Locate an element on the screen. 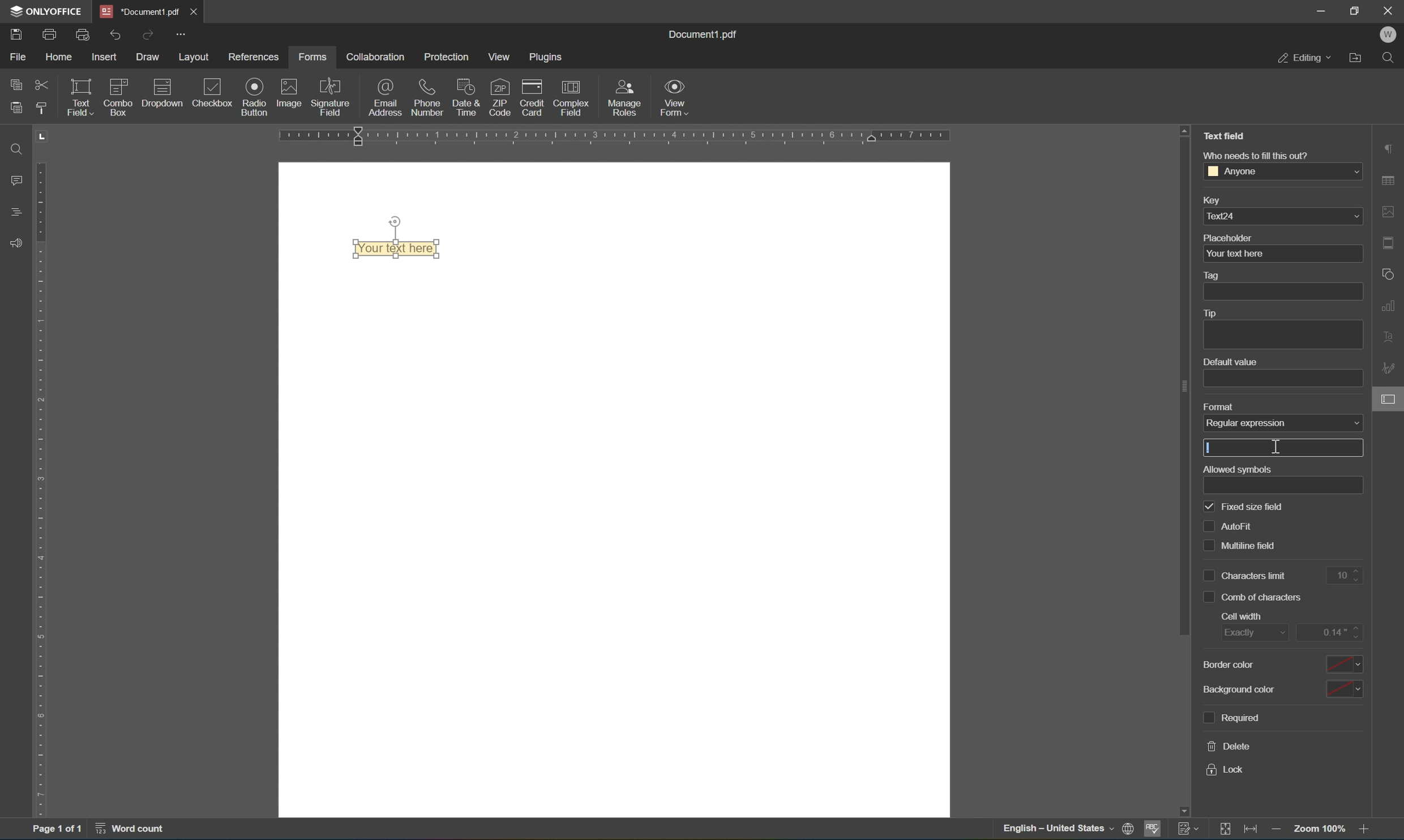  signature settings is located at coordinates (1391, 368).